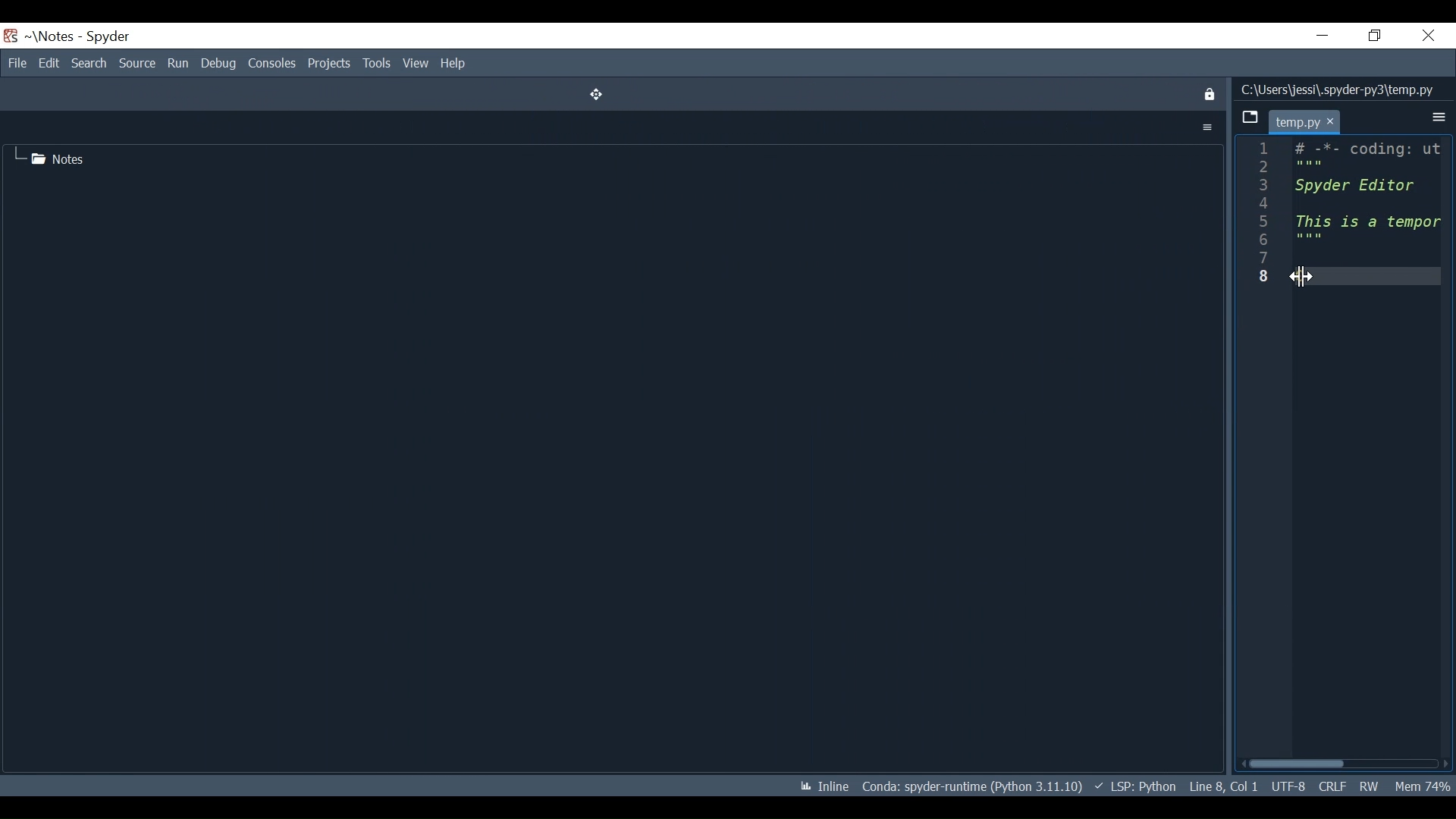 The height and width of the screenshot is (819, 1456). Describe the element at coordinates (1287, 786) in the screenshot. I see `UTF-8` at that location.